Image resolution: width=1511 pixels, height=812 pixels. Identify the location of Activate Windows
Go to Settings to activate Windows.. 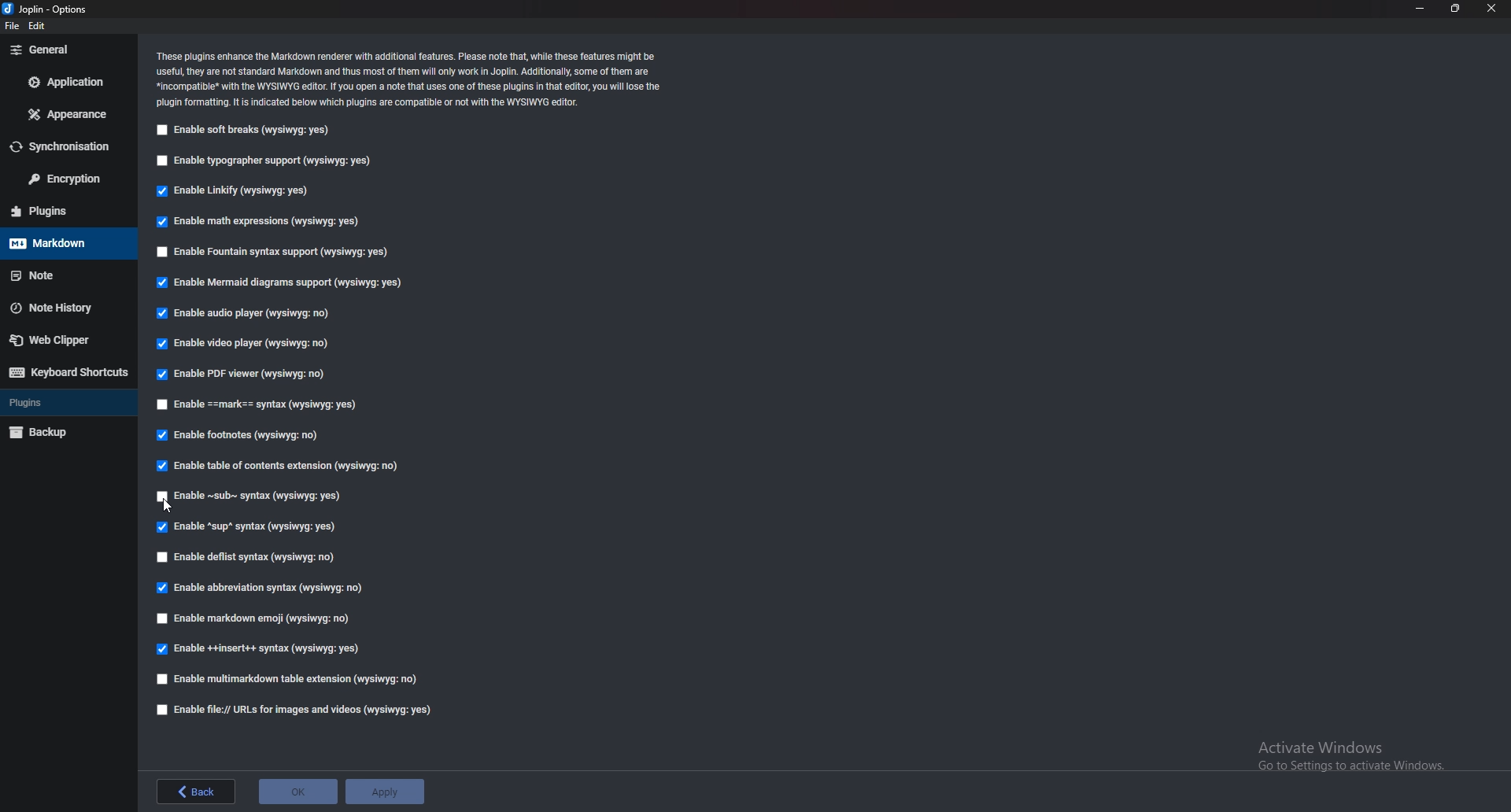
(1347, 755).